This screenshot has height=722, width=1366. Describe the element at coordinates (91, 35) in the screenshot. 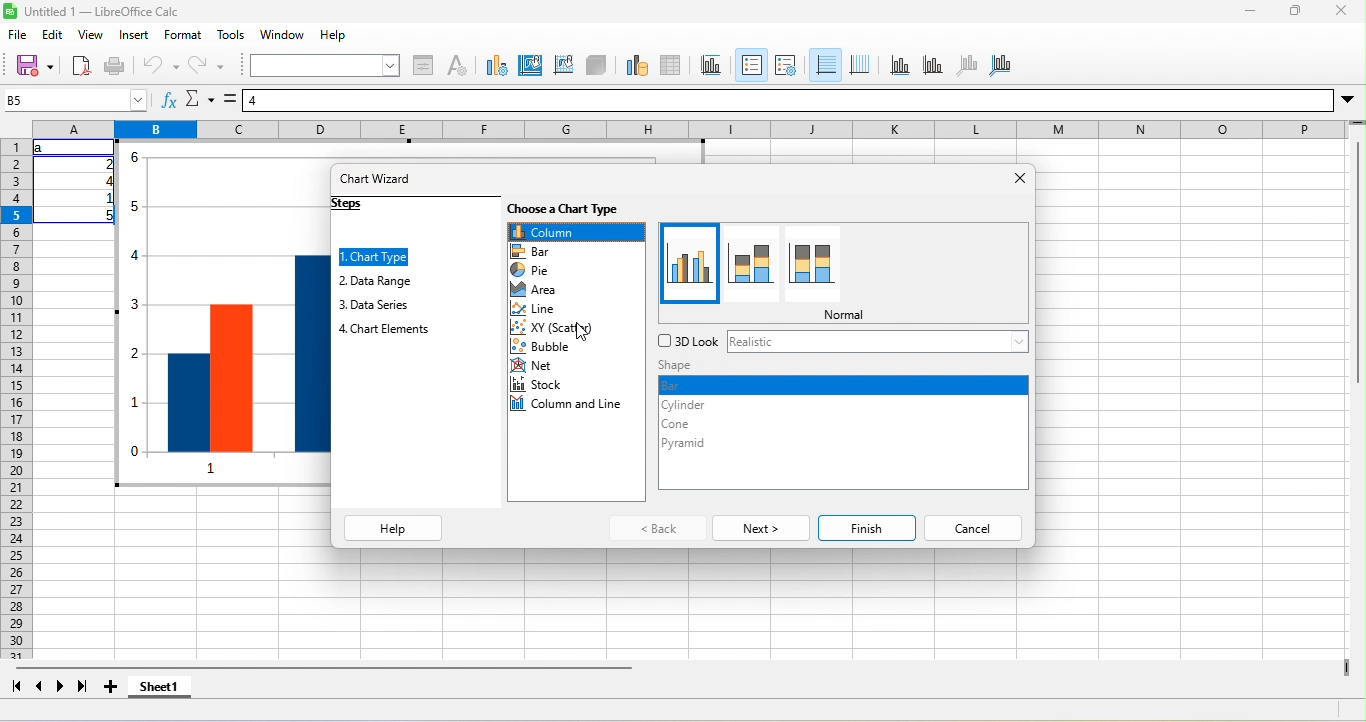

I see `view` at that location.